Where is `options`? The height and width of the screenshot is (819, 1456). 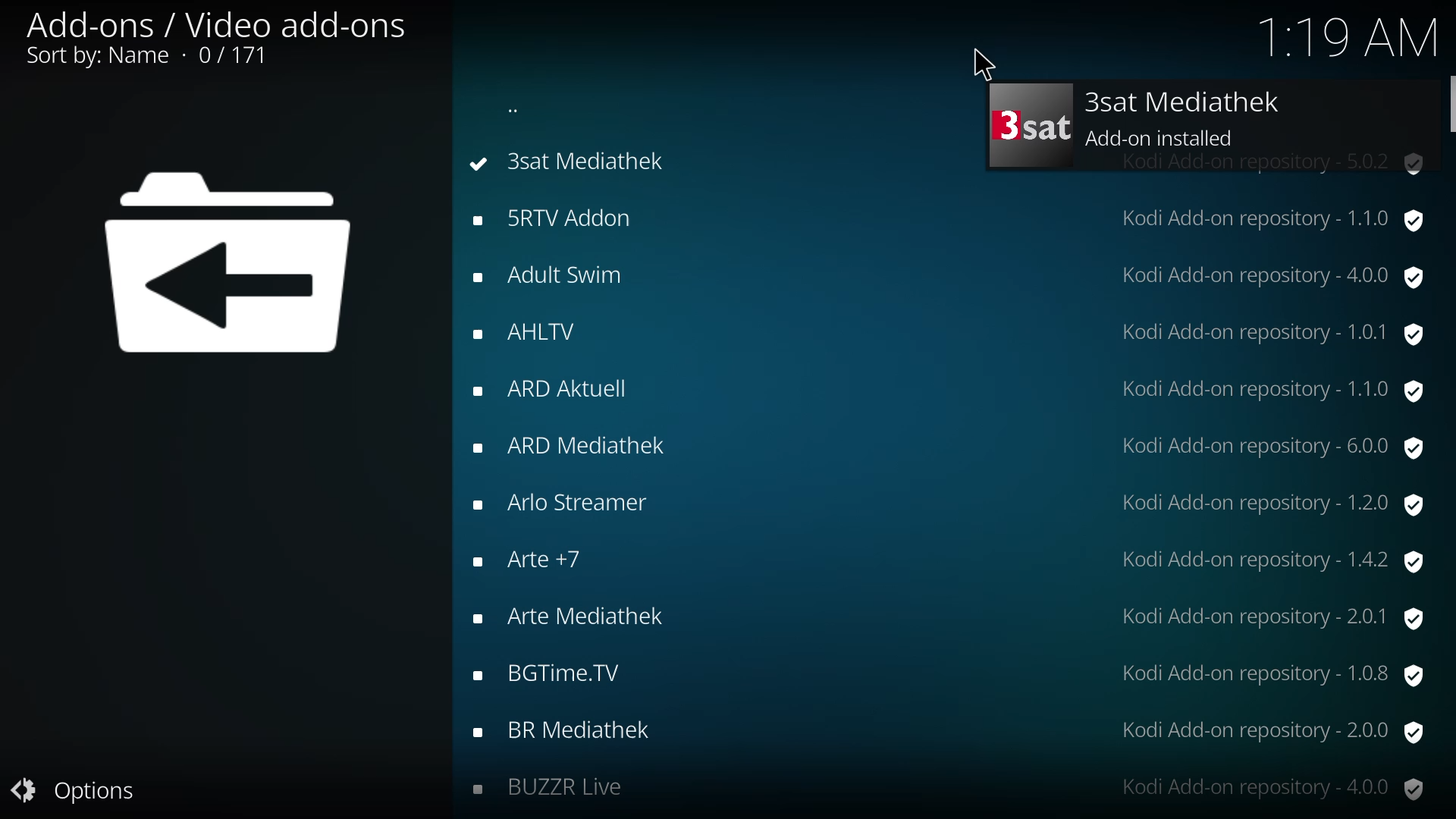
options is located at coordinates (80, 787).